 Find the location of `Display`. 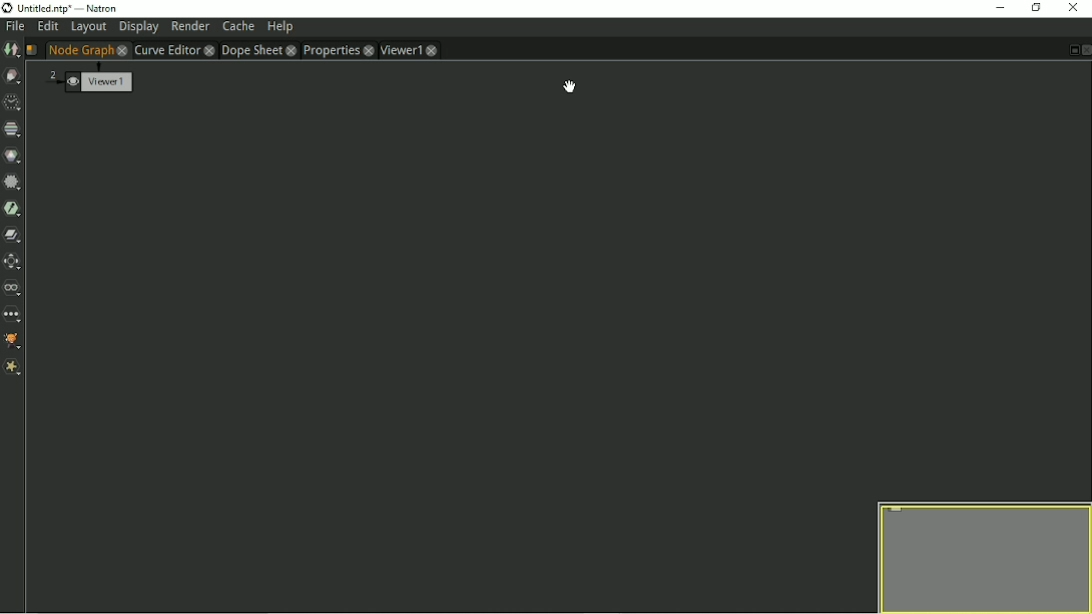

Display is located at coordinates (138, 28).